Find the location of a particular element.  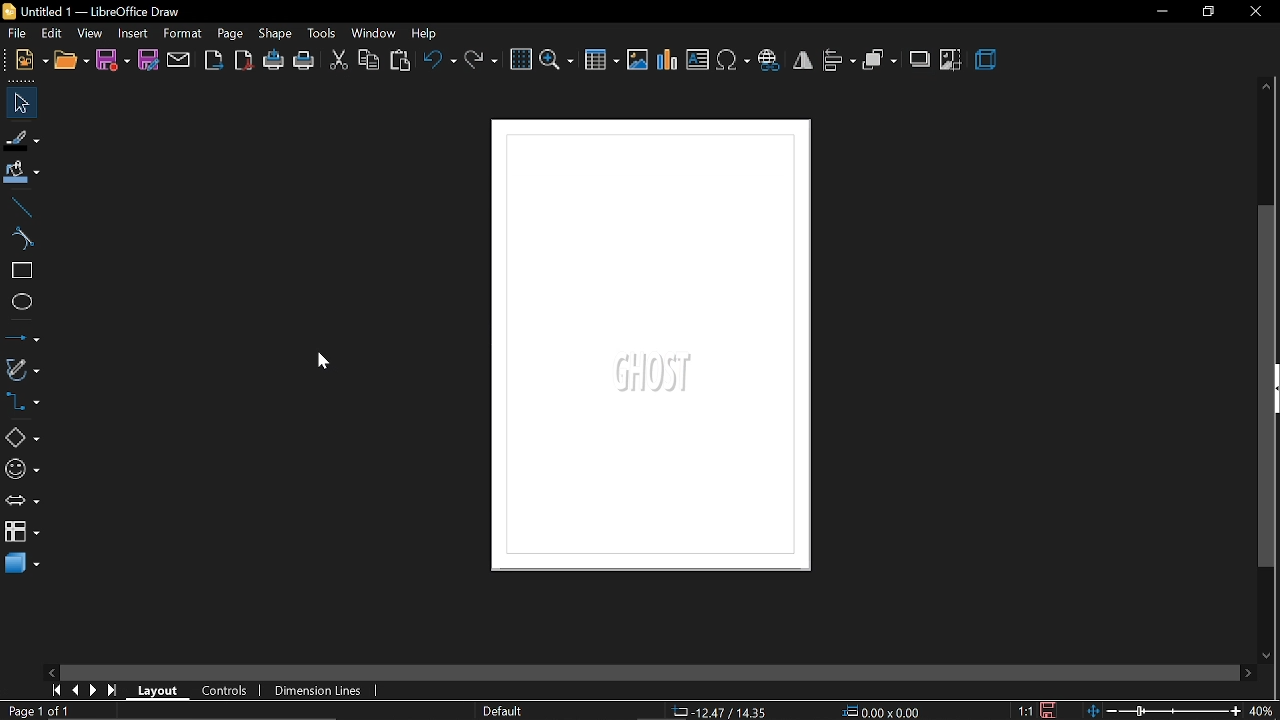

move down is located at coordinates (1266, 656).